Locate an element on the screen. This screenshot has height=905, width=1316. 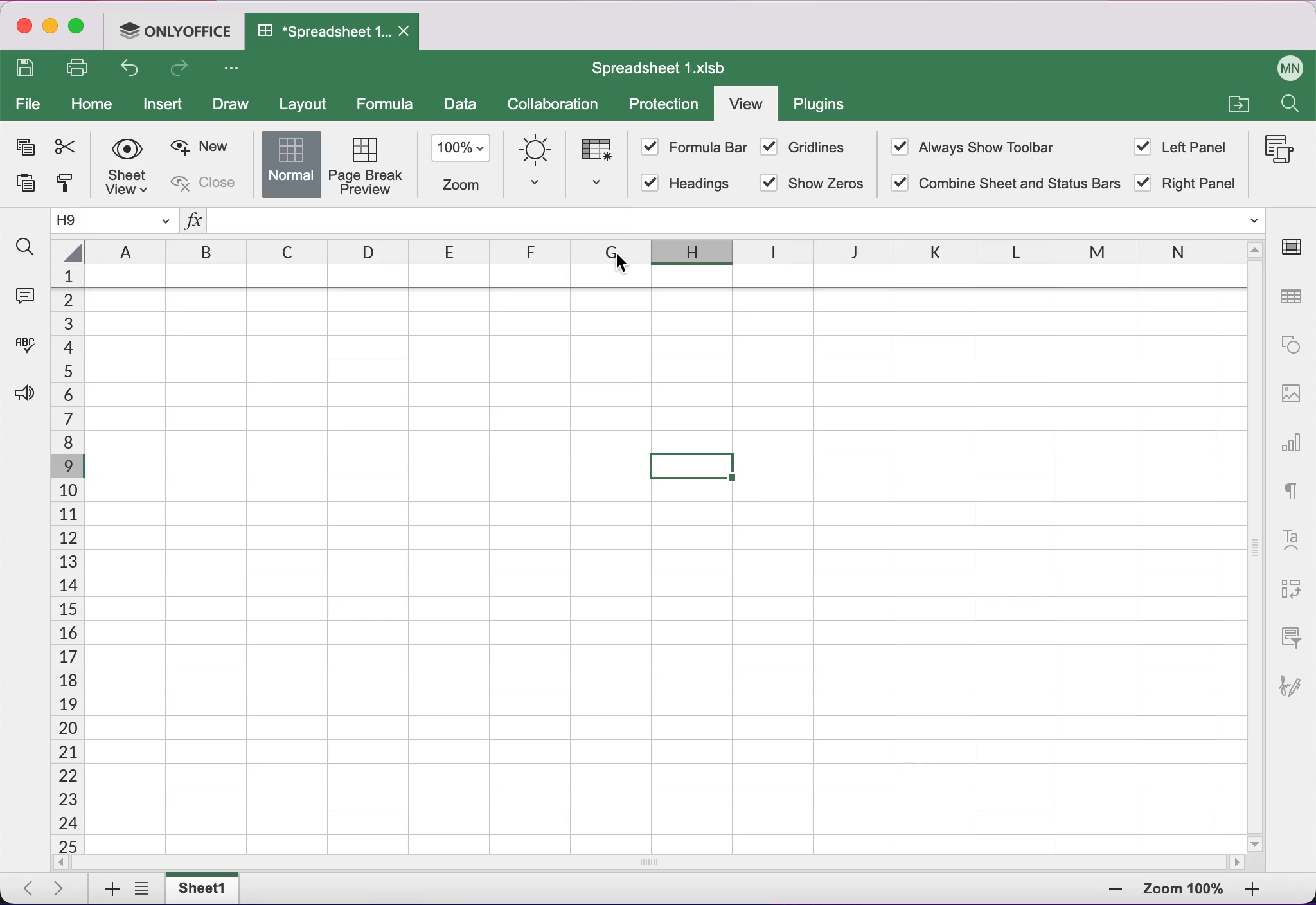
collaboration is located at coordinates (557, 106).